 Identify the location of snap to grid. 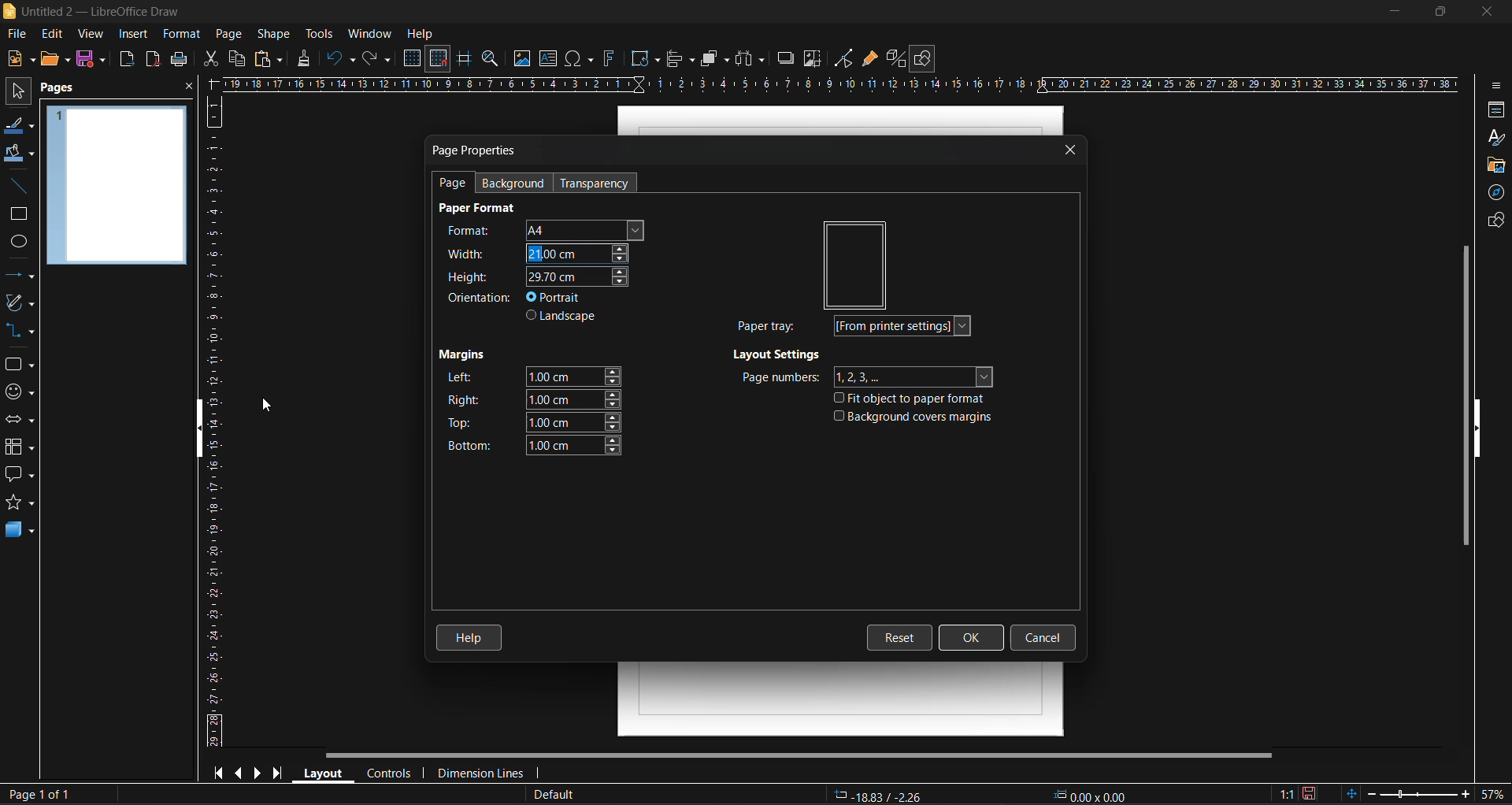
(438, 58).